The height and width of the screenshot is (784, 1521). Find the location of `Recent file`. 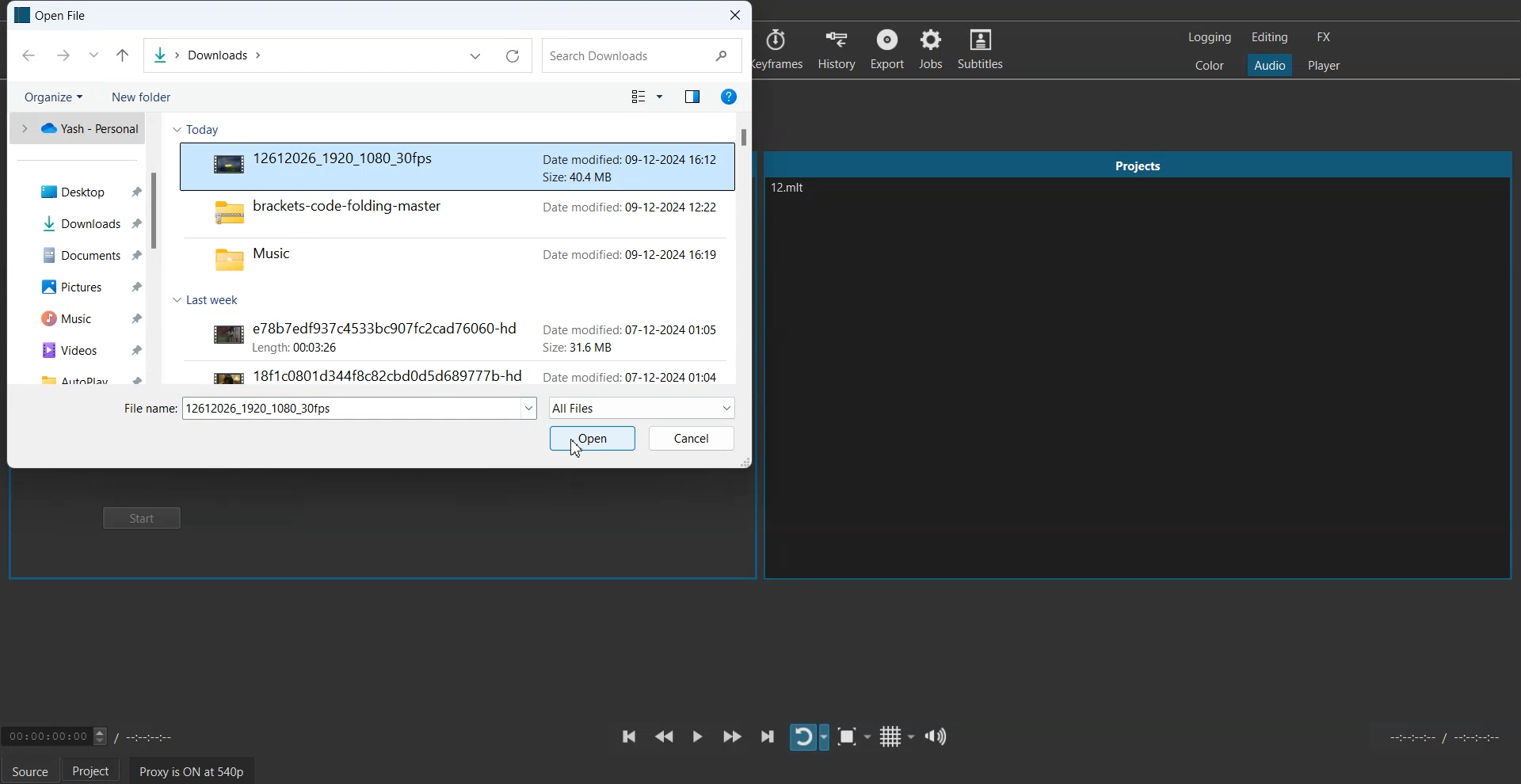

Recent file is located at coordinates (93, 55).